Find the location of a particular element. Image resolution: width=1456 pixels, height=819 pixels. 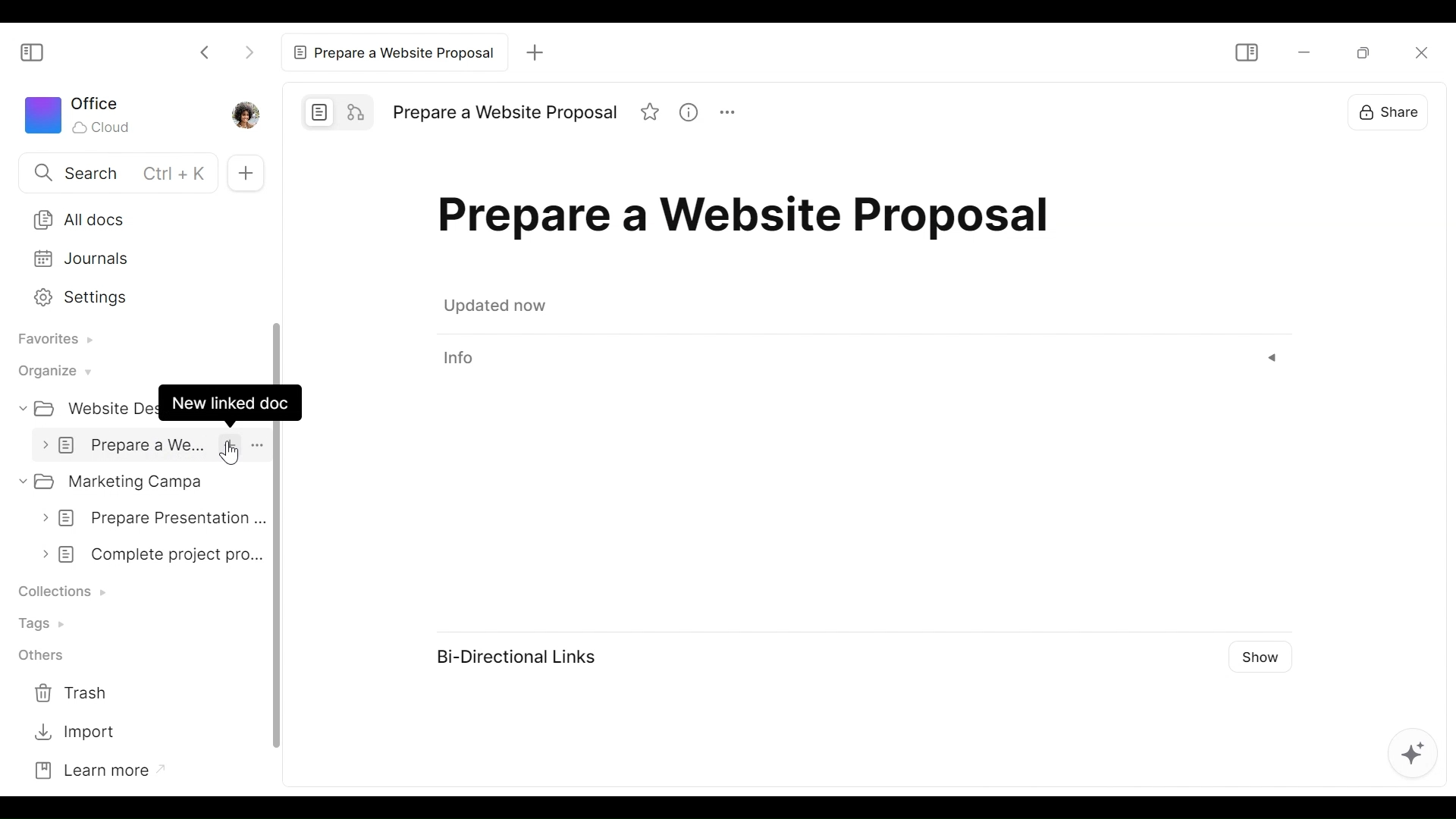

View Information is located at coordinates (688, 111).